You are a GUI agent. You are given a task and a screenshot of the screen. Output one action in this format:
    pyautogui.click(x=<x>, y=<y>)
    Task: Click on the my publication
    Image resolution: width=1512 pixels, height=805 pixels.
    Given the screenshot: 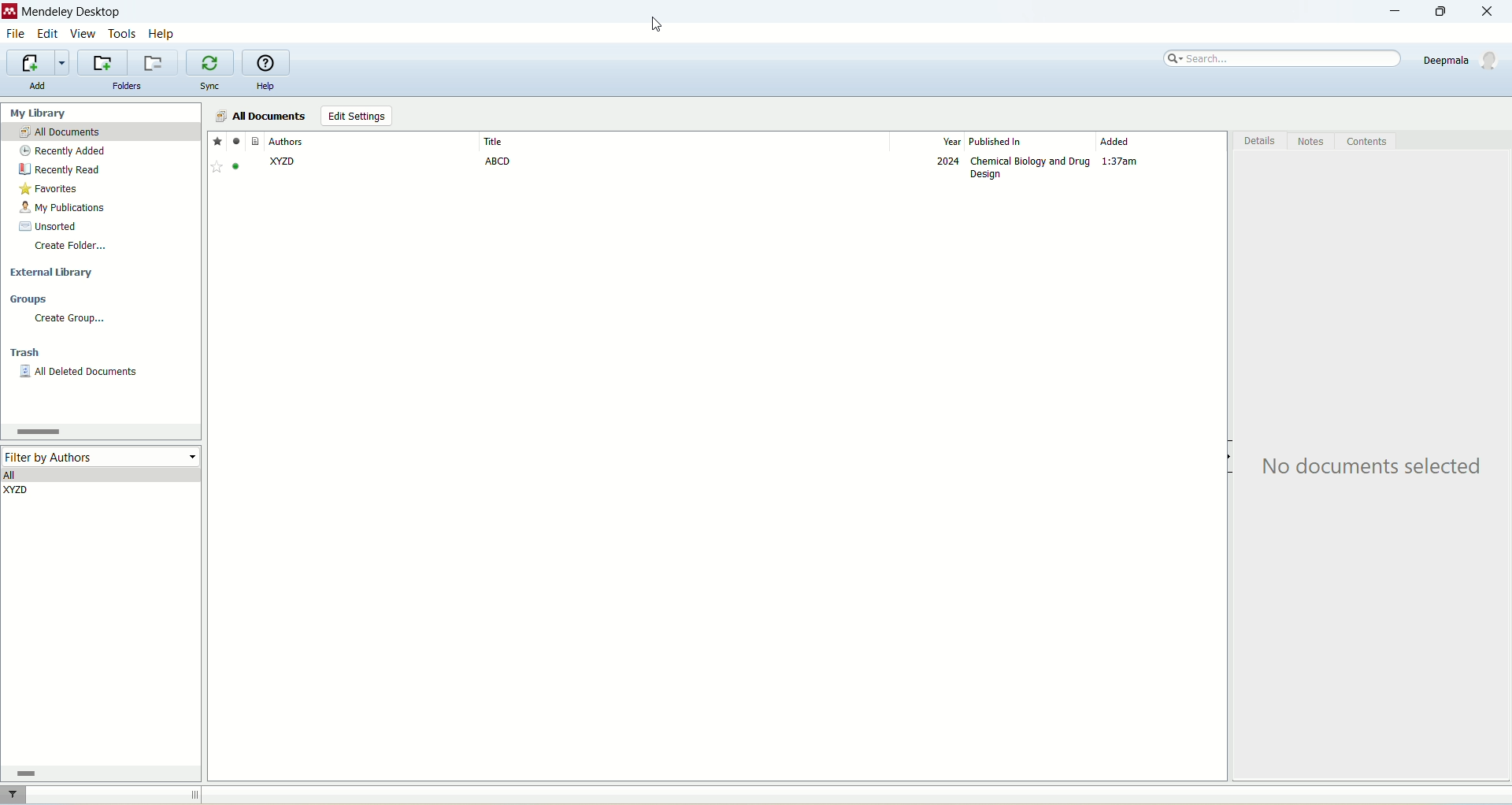 What is the action you would take?
    pyautogui.click(x=65, y=209)
    